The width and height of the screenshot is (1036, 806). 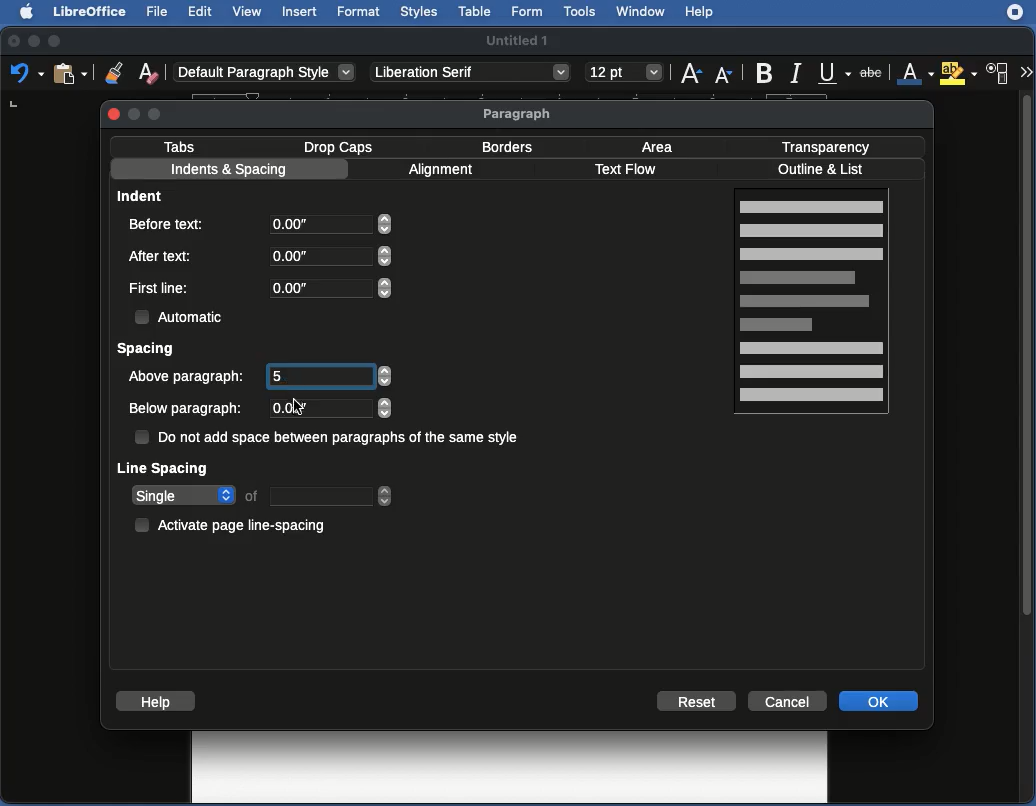 I want to click on Tools, so click(x=581, y=12).